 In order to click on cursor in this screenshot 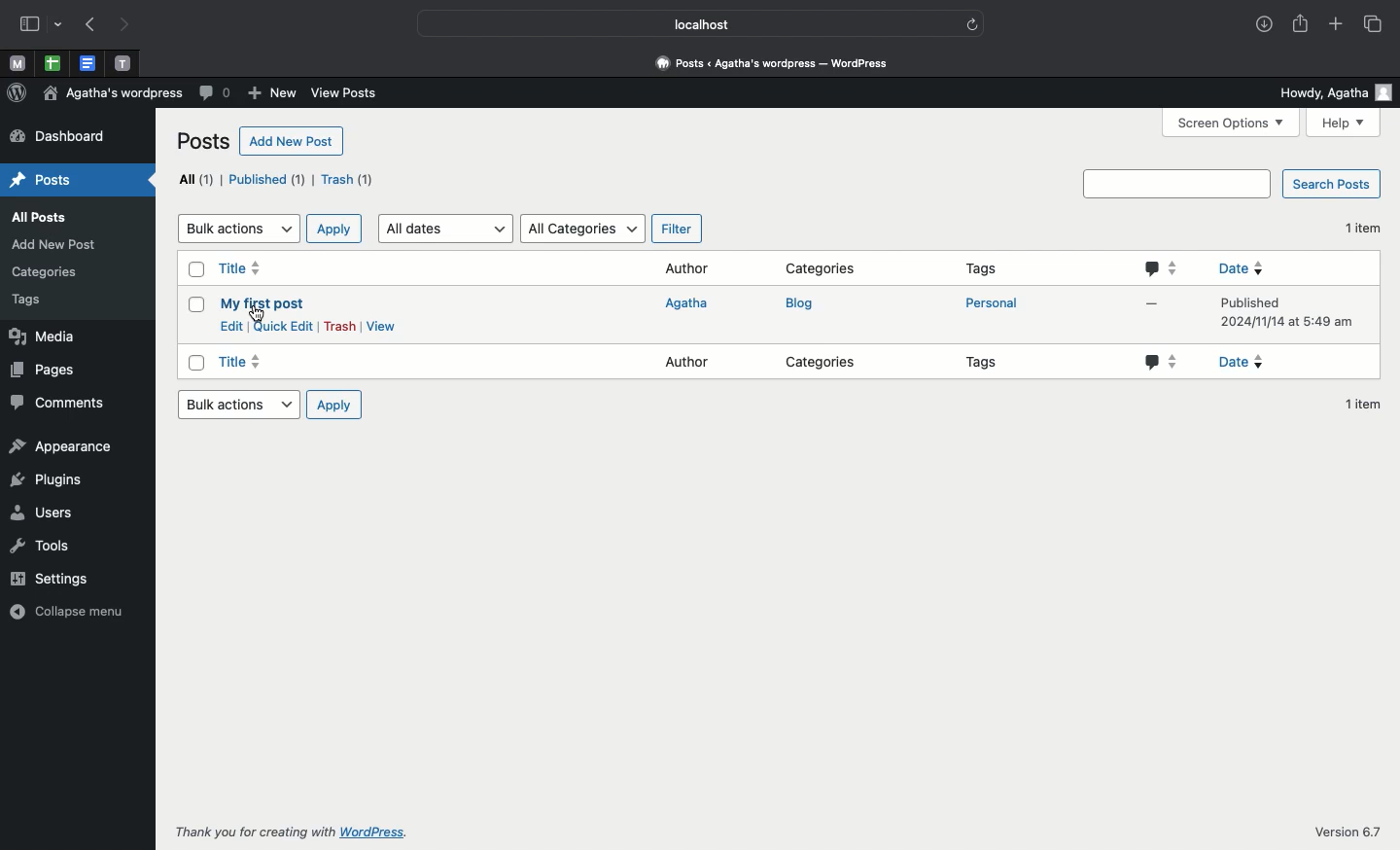, I will do `click(261, 313)`.